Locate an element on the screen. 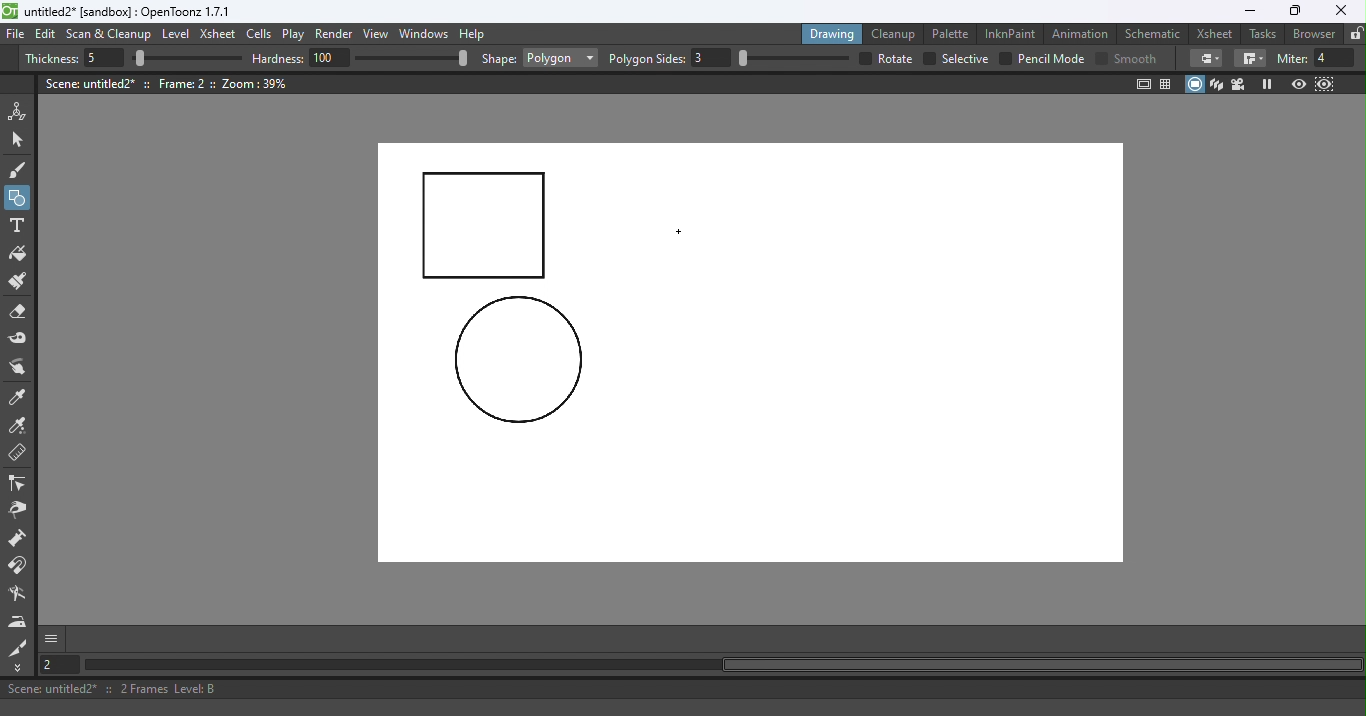 This screenshot has height=716, width=1366. RGB picker tool is located at coordinates (21, 427).